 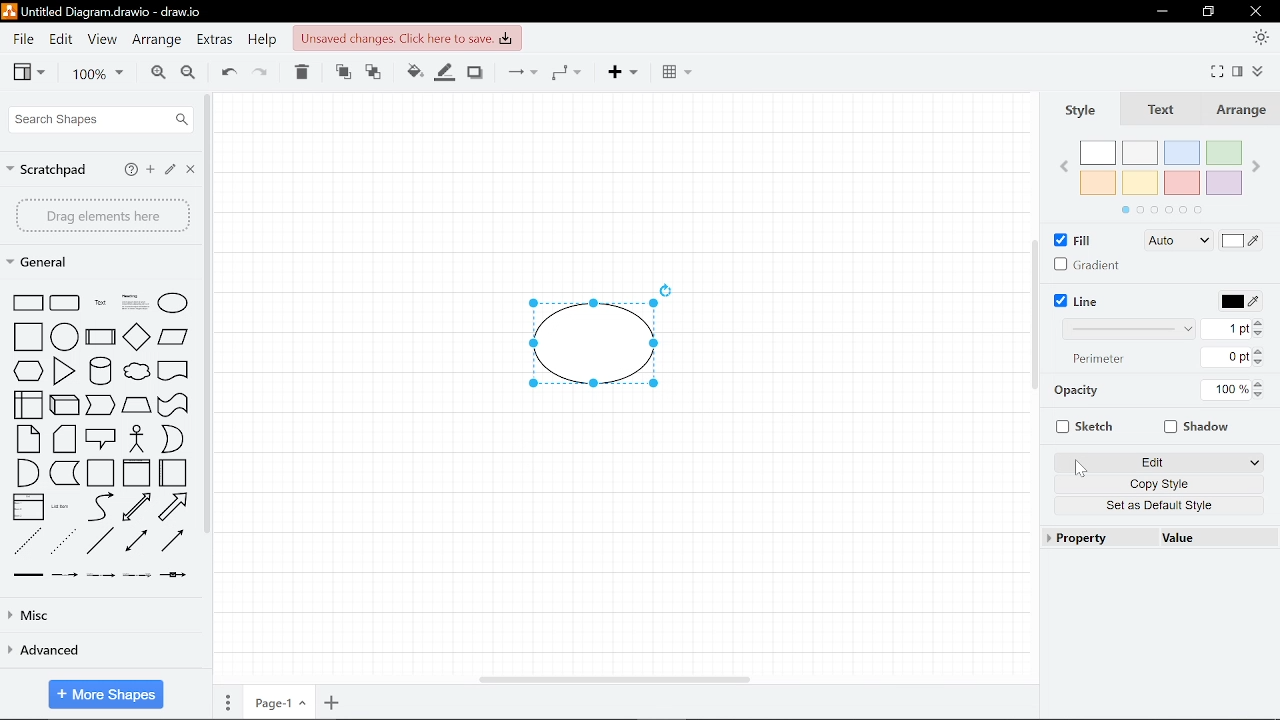 What do you see at coordinates (1242, 242) in the screenshot?
I see `Fill color` at bounding box center [1242, 242].